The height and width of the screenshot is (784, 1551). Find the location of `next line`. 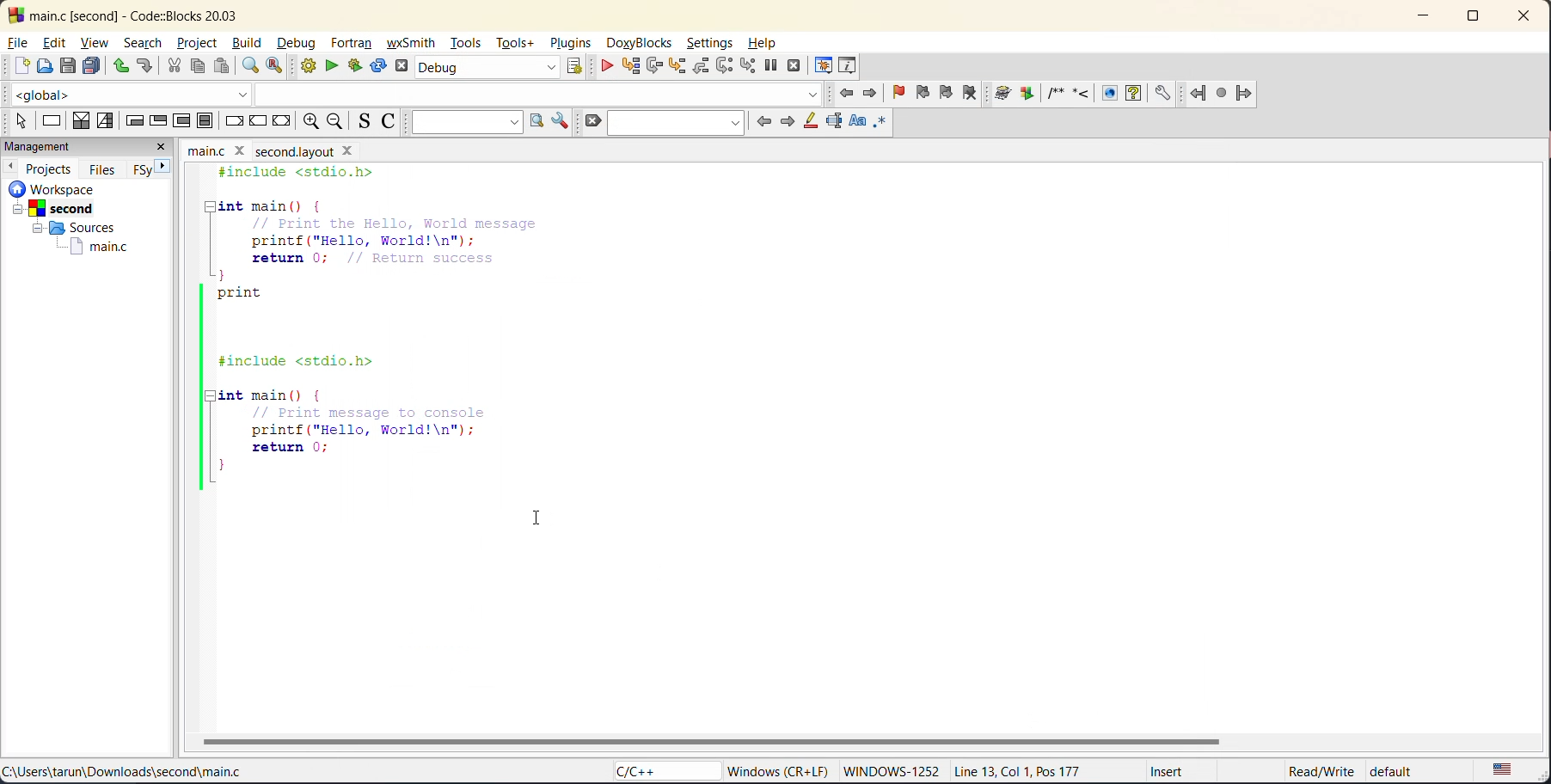

next line is located at coordinates (653, 66).